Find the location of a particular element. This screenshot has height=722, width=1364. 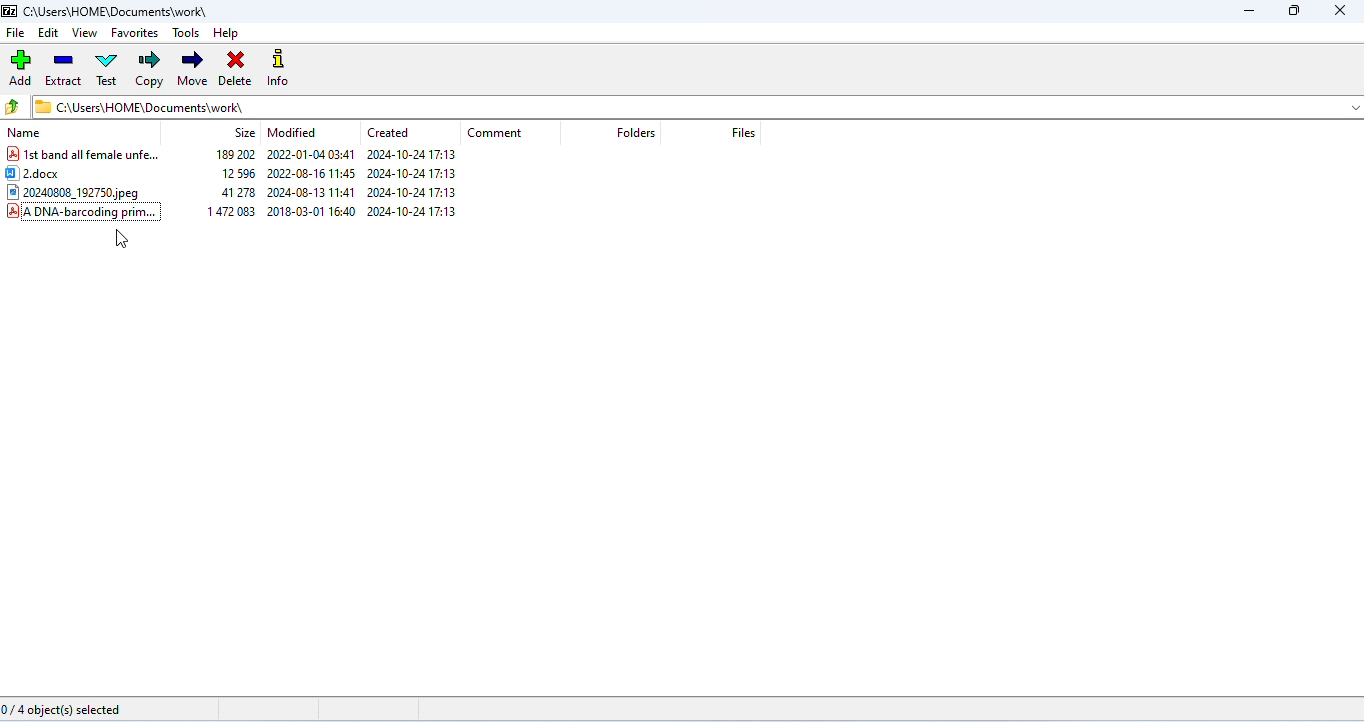

name is located at coordinates (26, 134).